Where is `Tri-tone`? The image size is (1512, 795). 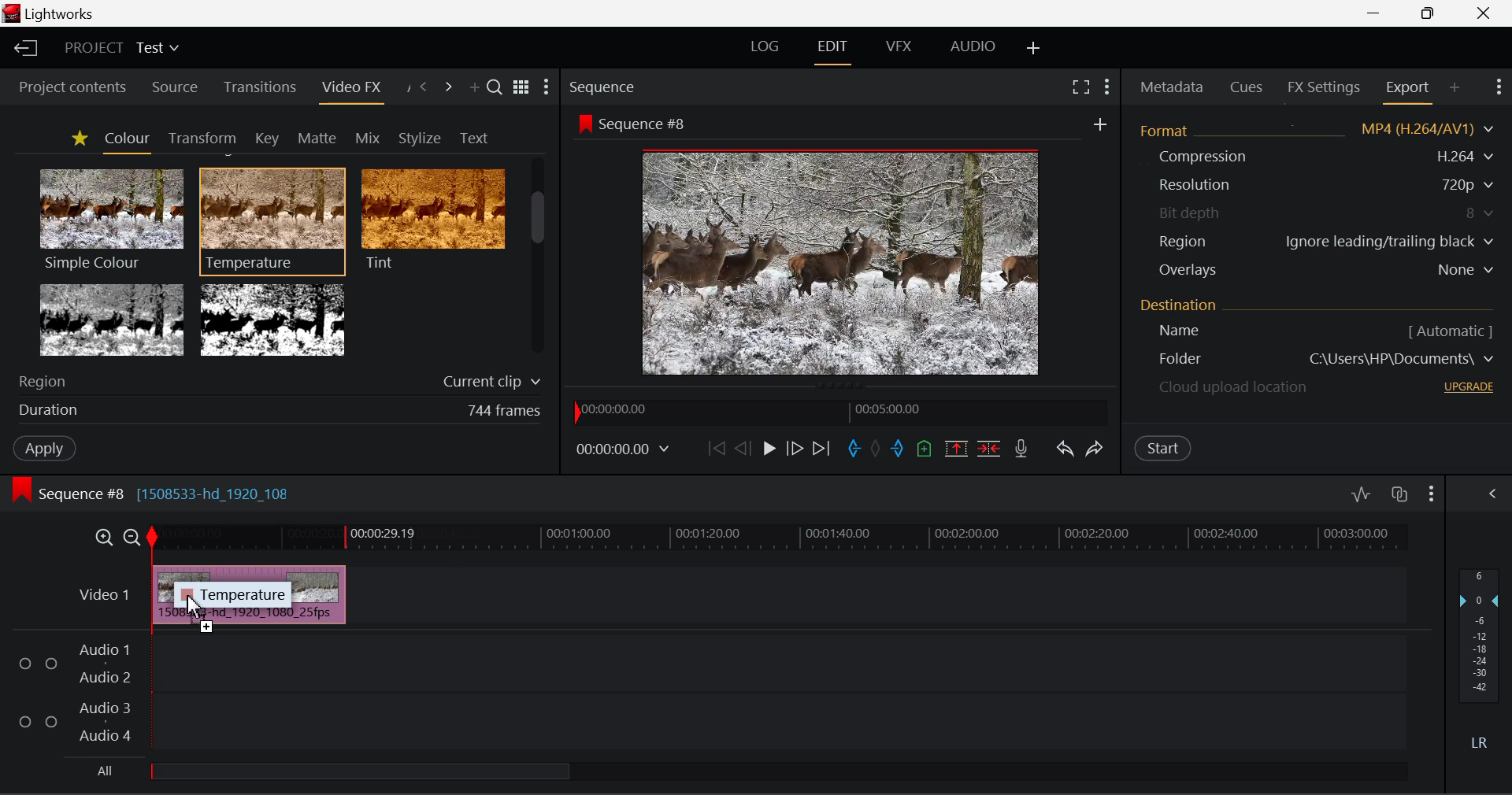 Tri-tone is located at coordinates (113, 319).